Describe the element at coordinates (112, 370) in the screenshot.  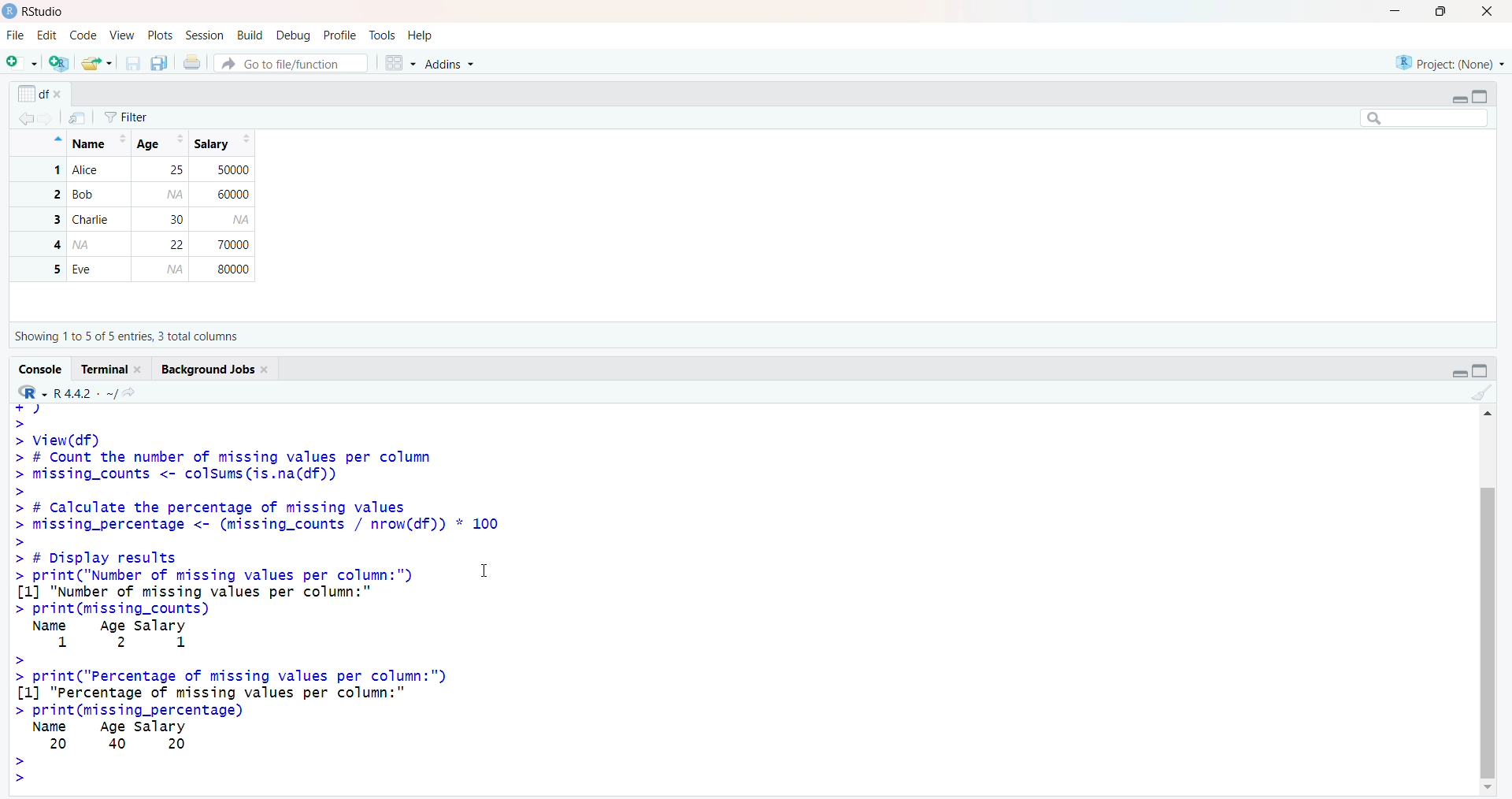
I see `Terminal` at that location.